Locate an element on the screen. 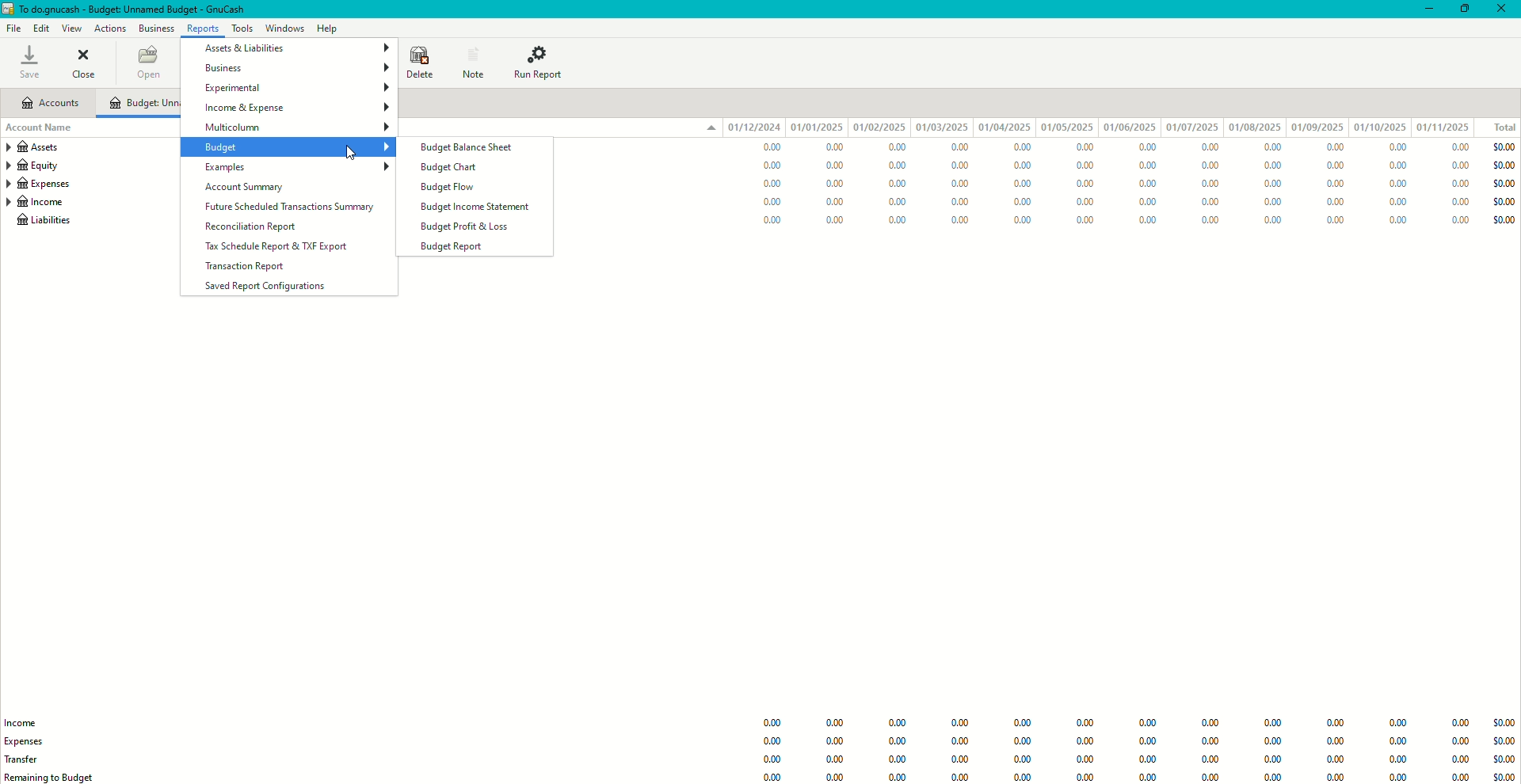  Experimental is located at coordinates (295, 88).